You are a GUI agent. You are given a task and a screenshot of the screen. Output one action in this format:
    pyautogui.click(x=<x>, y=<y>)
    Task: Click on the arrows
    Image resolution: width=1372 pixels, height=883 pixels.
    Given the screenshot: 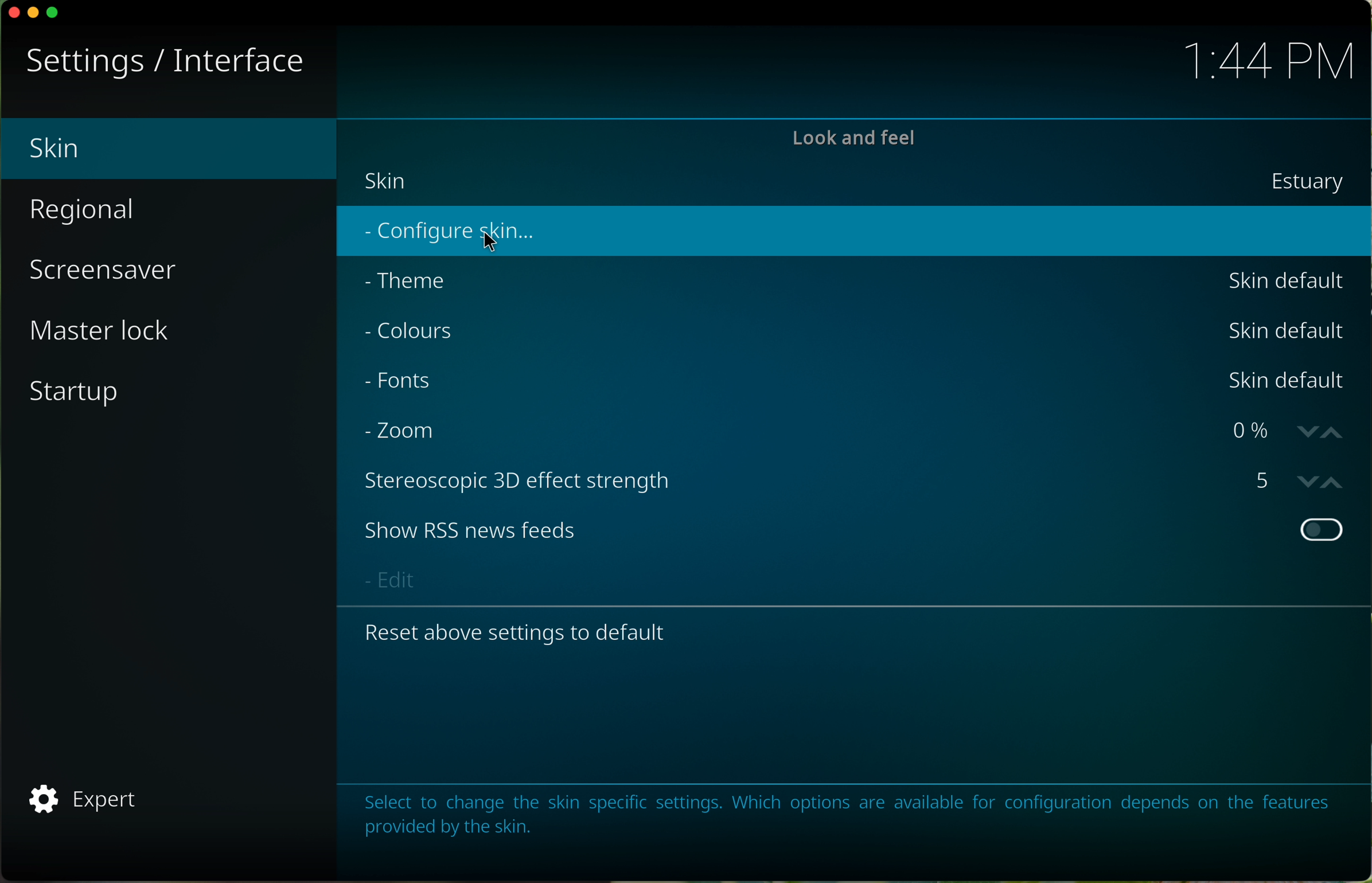 What is the action you would take?
    pyautogui.click(x=1323, y=430)
    